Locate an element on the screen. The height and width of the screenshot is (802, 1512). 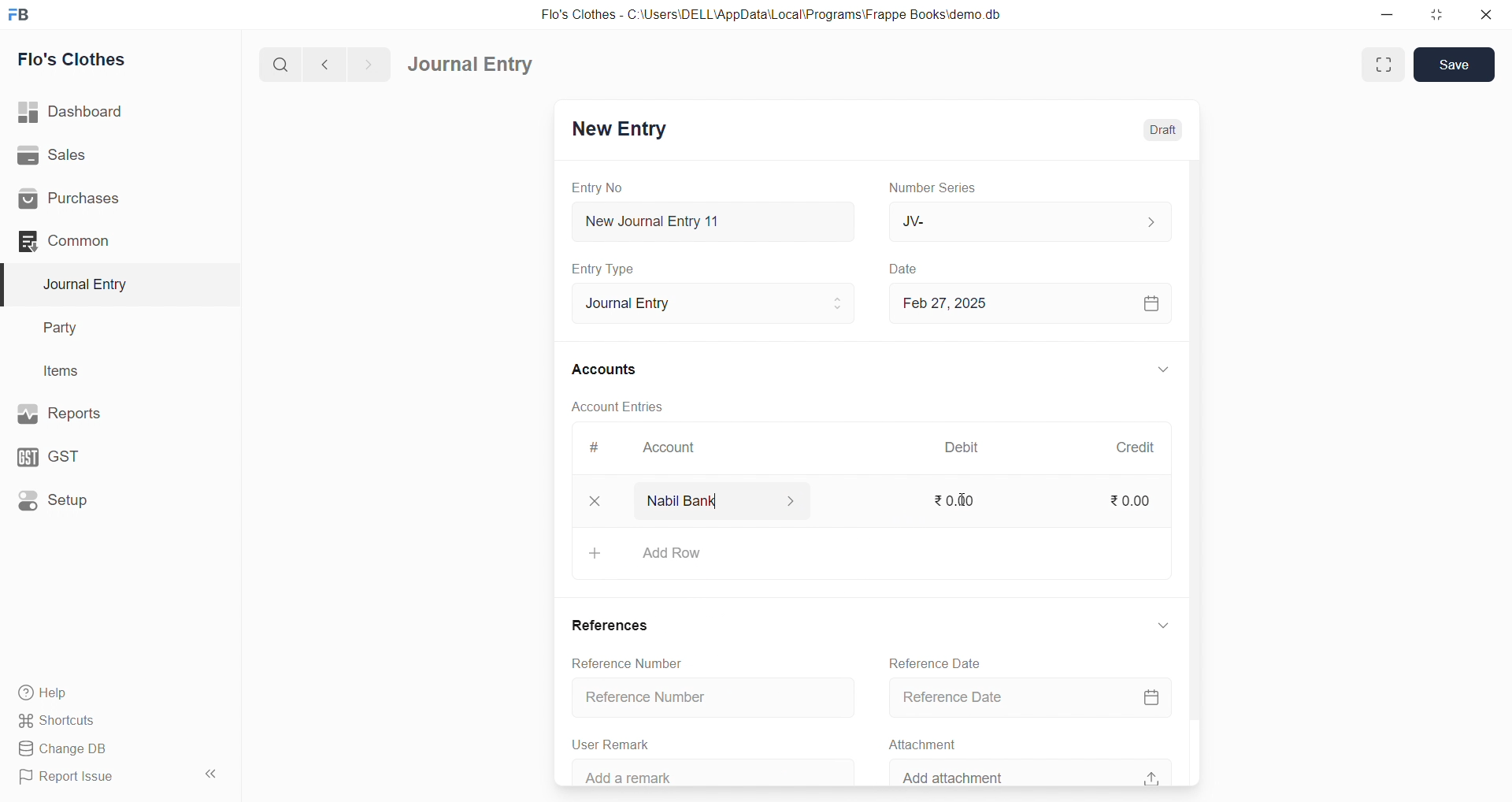
Flo's Clothes is located at coordinates (80, 59).